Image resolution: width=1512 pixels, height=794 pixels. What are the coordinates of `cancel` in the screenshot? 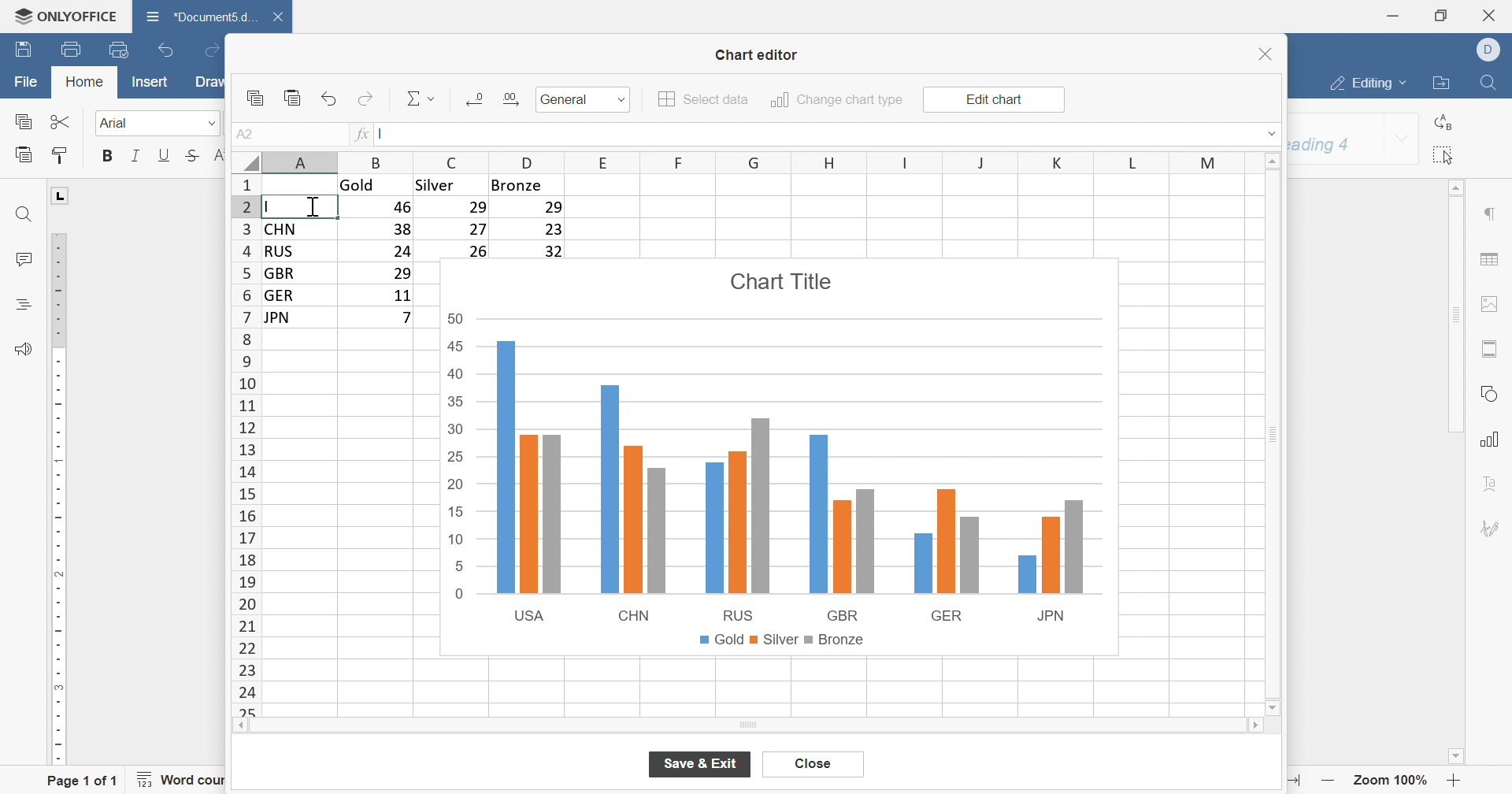 It's located at (813, 765).